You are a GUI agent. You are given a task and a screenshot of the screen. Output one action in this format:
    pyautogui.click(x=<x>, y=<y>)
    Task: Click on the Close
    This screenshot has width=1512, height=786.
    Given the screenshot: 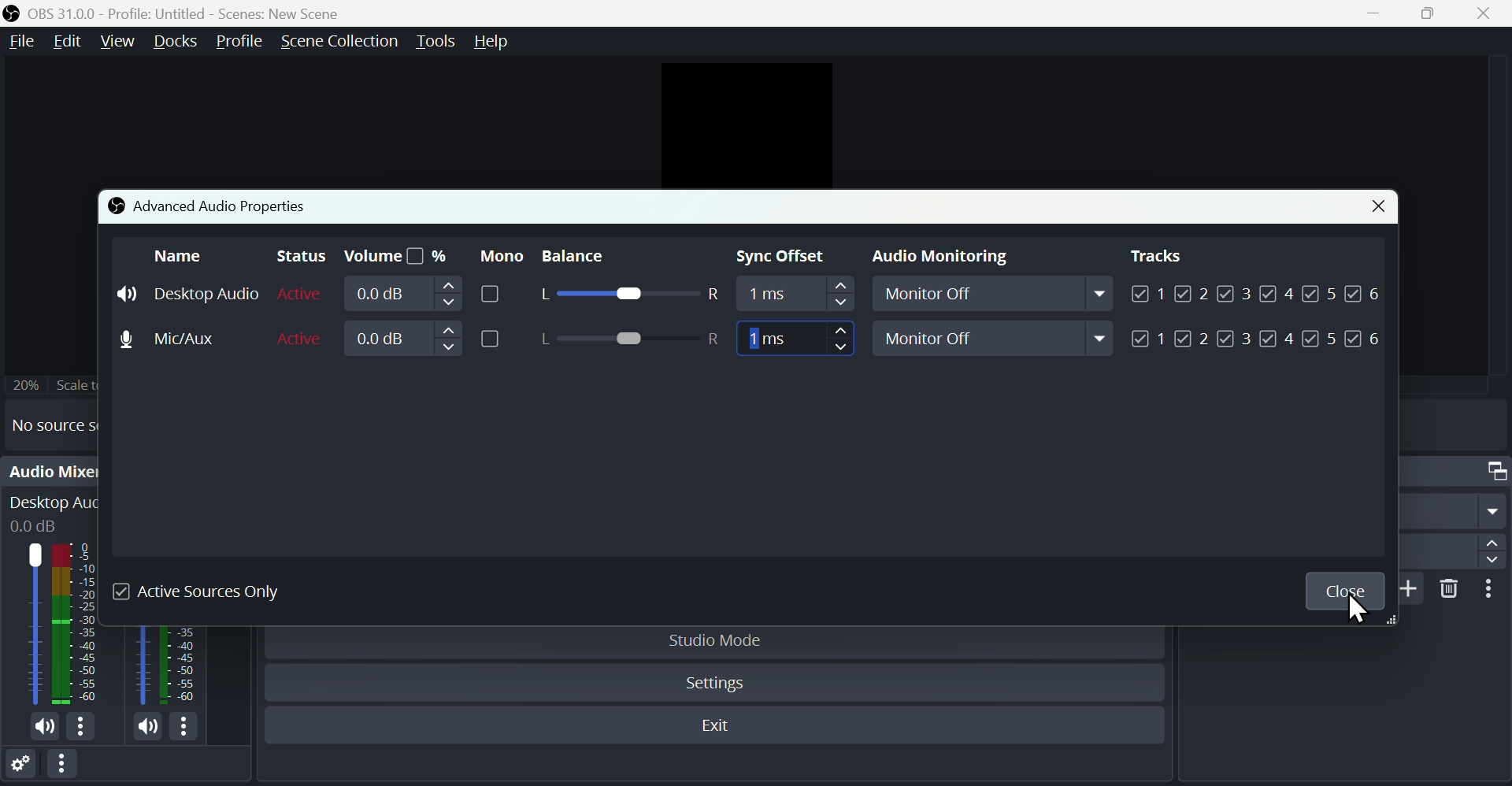 What is the action you would take?
    pyautogui.click(x=1373, y=208)
    